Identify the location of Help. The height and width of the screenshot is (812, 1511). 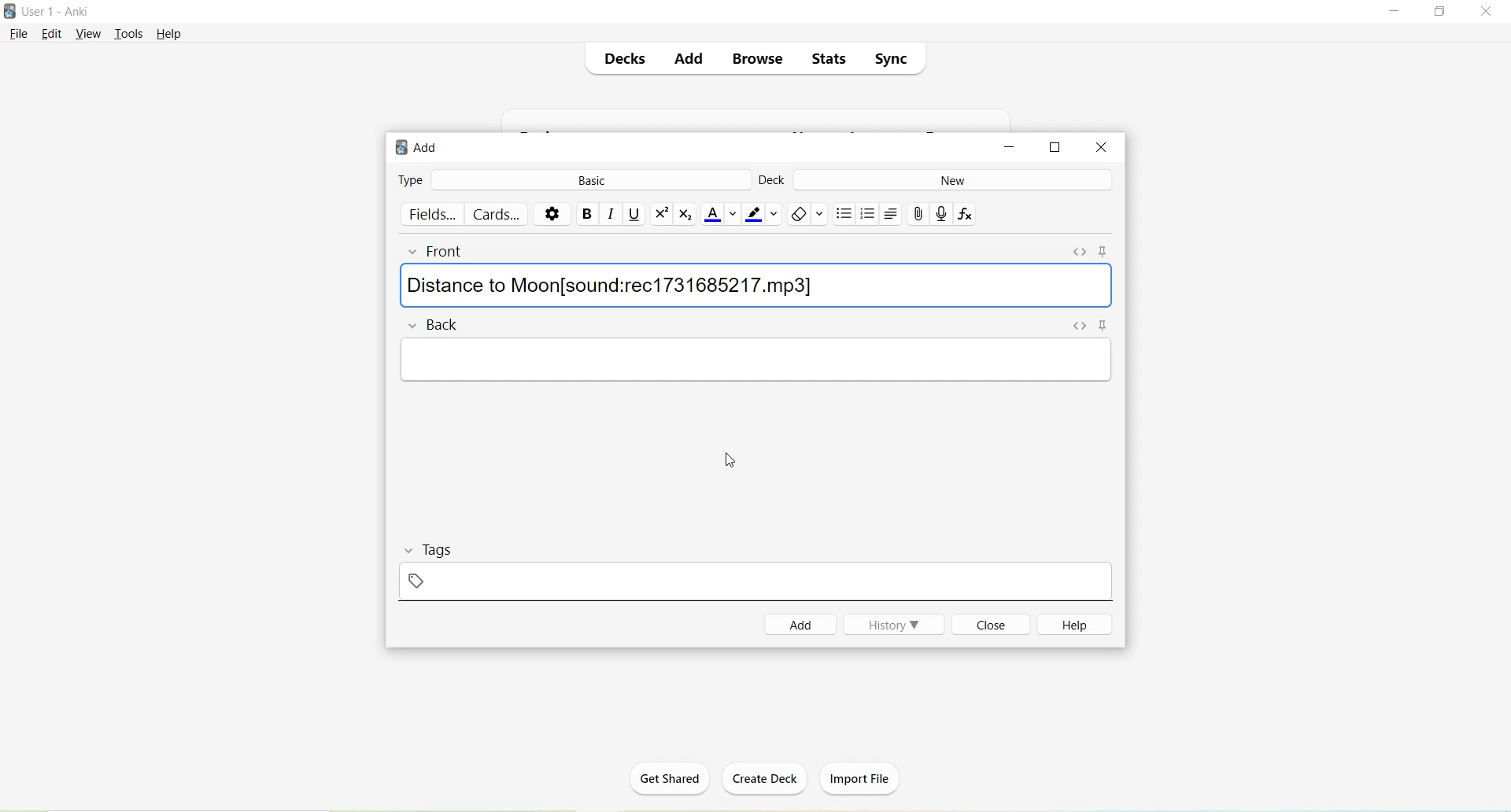
(169, 35).